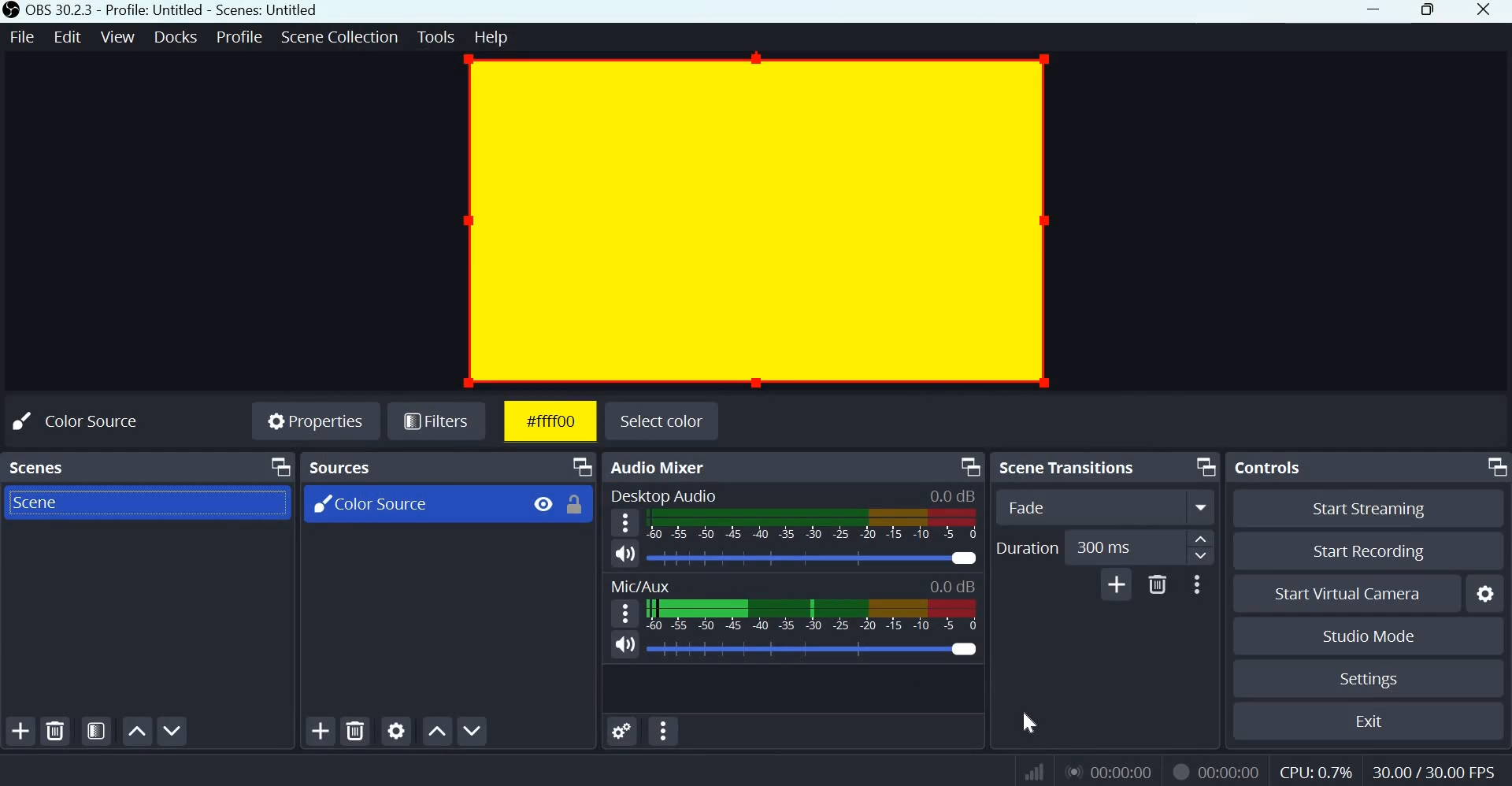 This screenshot has width=1512, height=786. Describe the element at coordinates (1485, 11) in the screenshot. I see `Close` at that location.